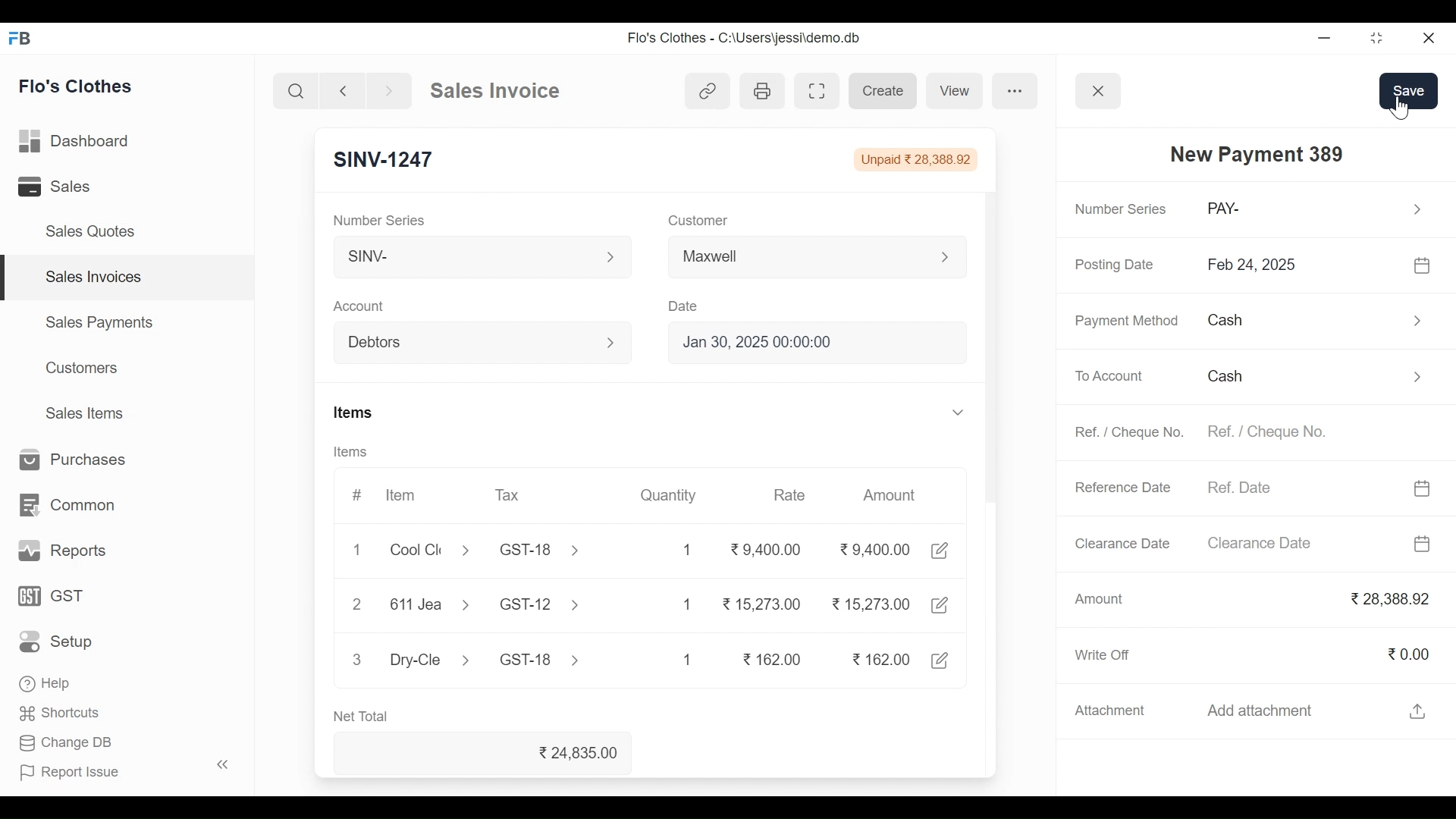  I want to click on Date, so click(686, 306).